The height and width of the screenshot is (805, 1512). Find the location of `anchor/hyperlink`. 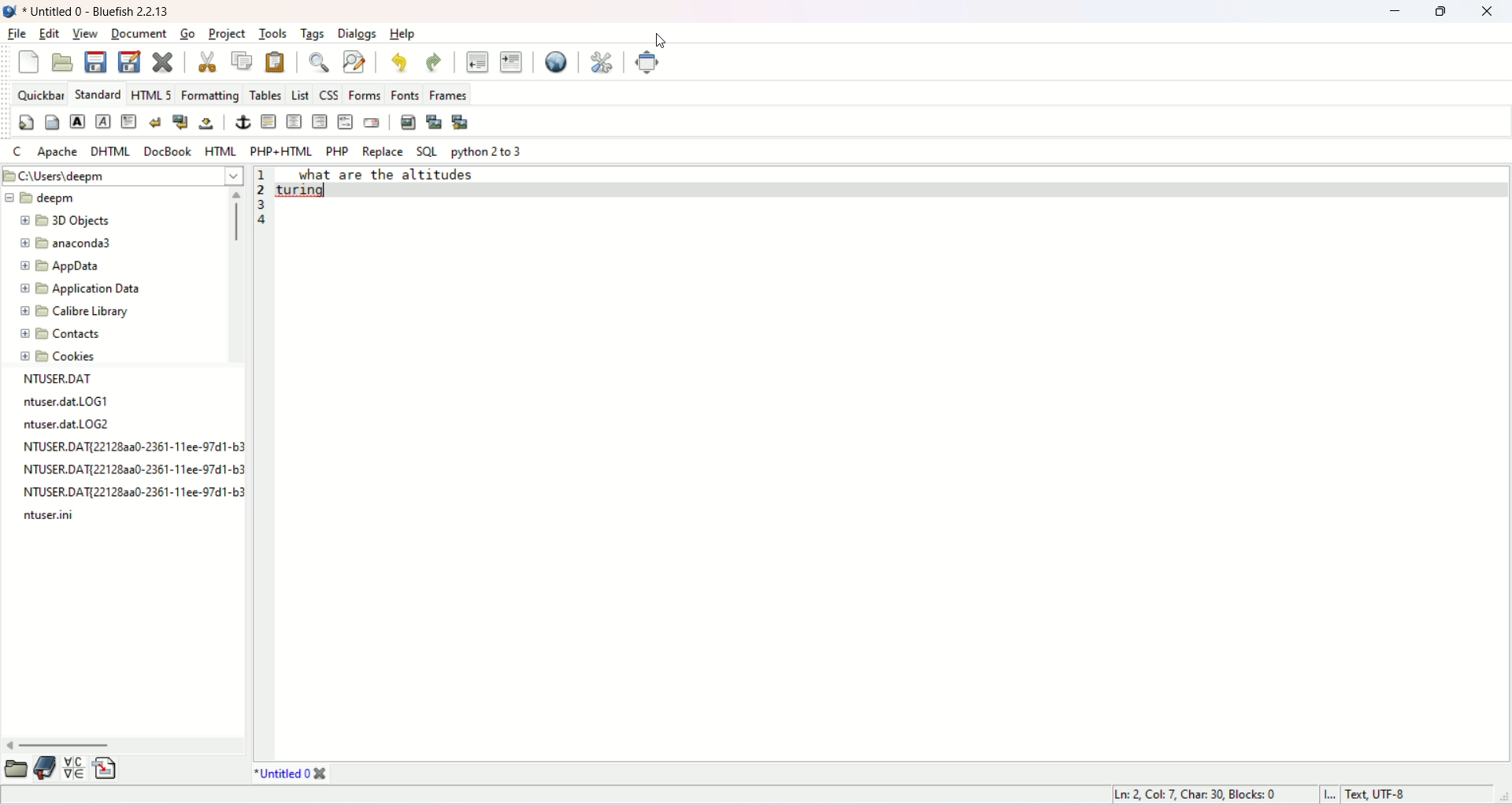

anchor/hyperlink is located at coordinates (245, 121).